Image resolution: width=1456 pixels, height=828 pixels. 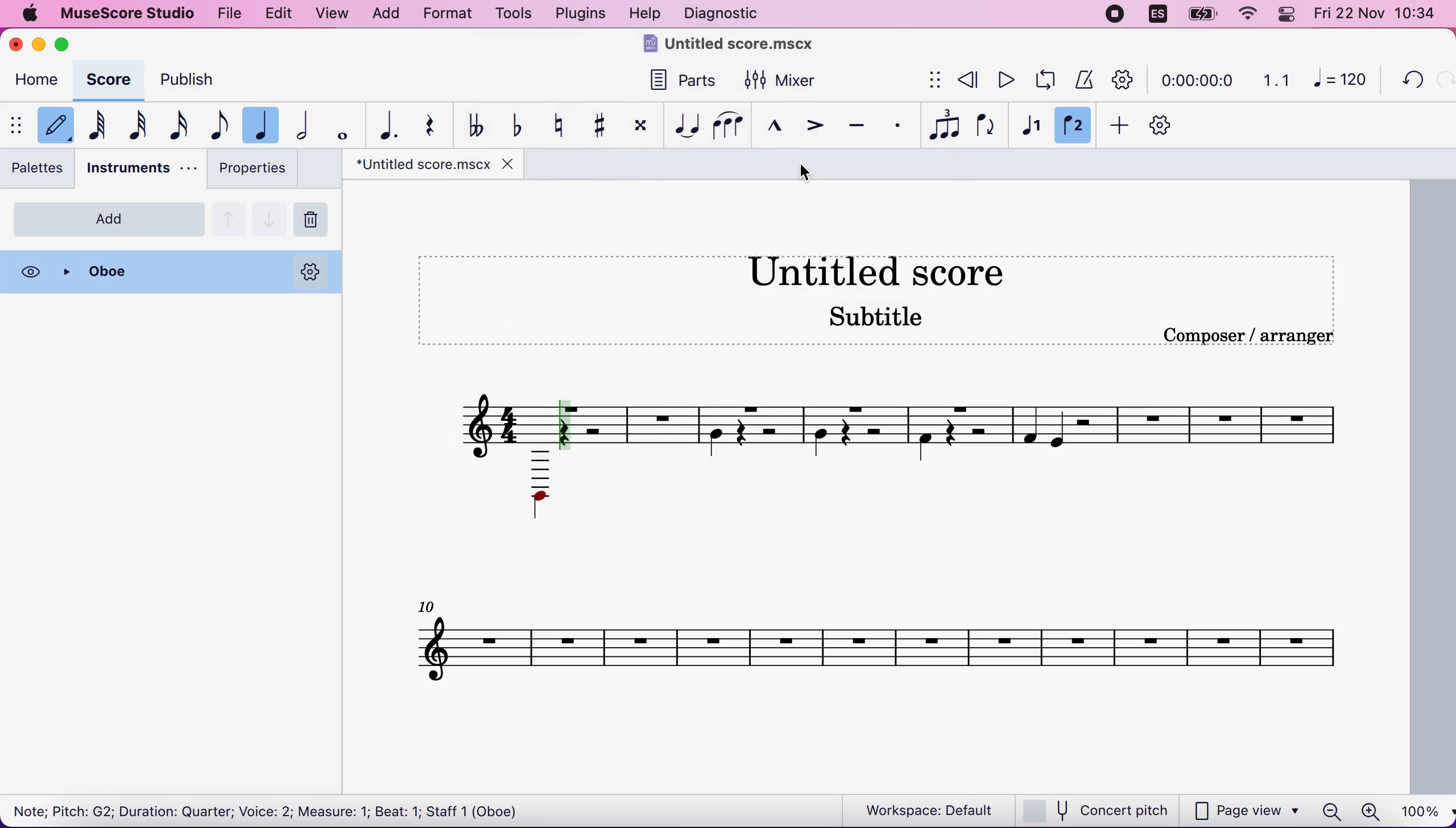 I want to click on minimize, so click(x=38, y=44).